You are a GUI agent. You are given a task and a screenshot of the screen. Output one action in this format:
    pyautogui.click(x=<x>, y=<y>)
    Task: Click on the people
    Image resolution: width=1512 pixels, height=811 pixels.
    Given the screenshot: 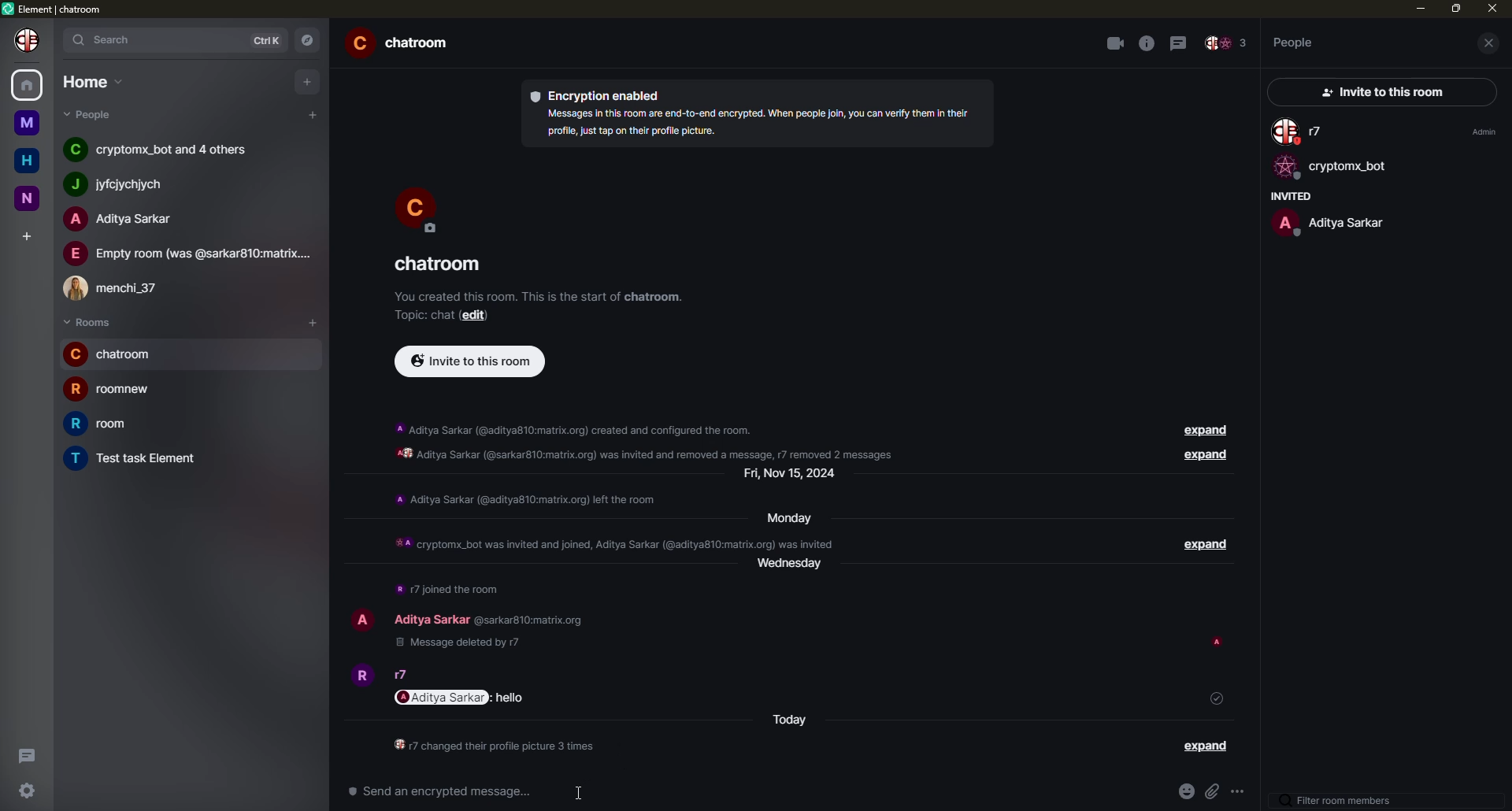 What is the action you would take?
    pyautogui.click(x=1329, y=222)
    